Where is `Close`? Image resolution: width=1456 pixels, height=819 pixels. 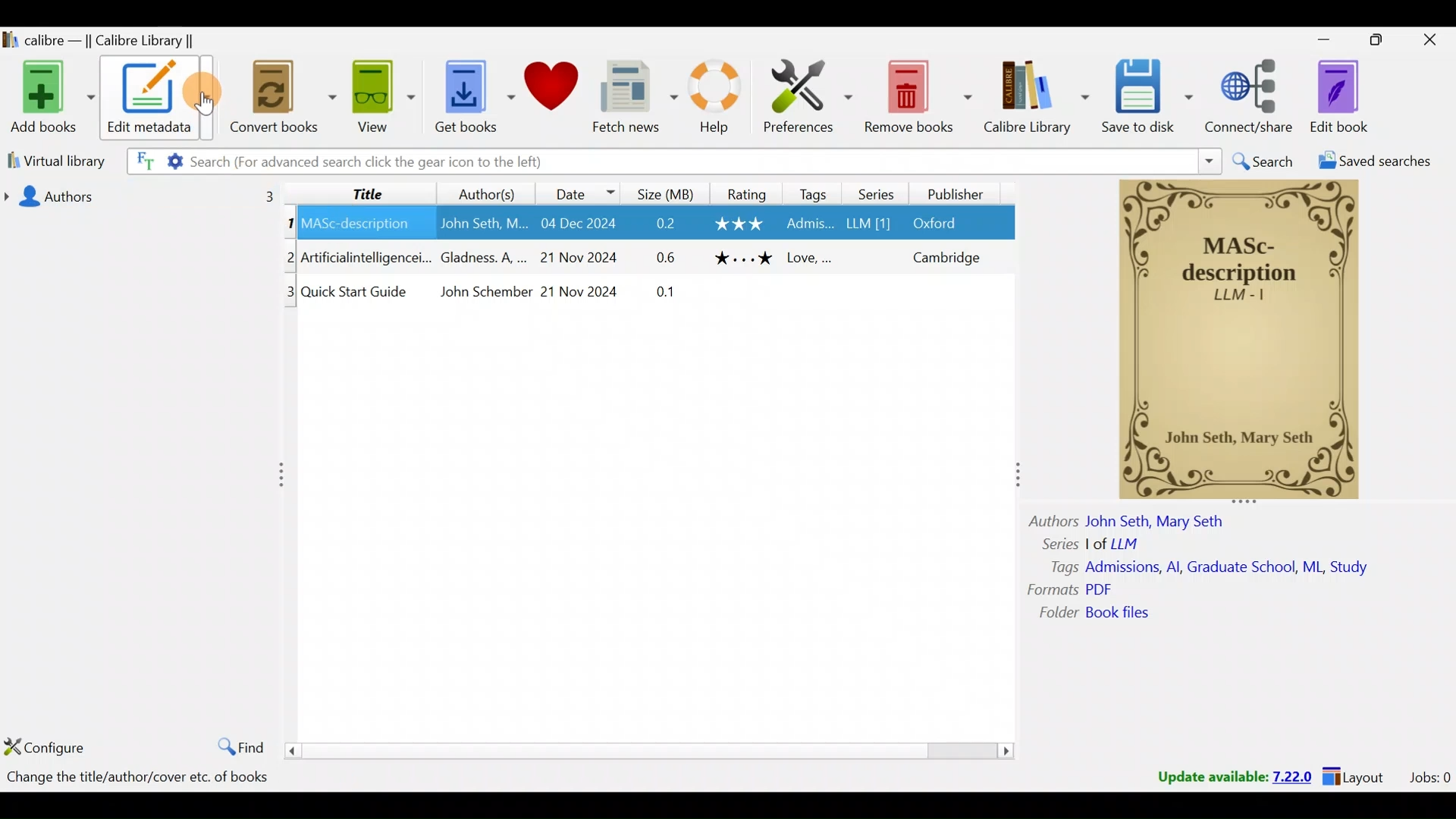
Close is located at coordinates (1432, 40).